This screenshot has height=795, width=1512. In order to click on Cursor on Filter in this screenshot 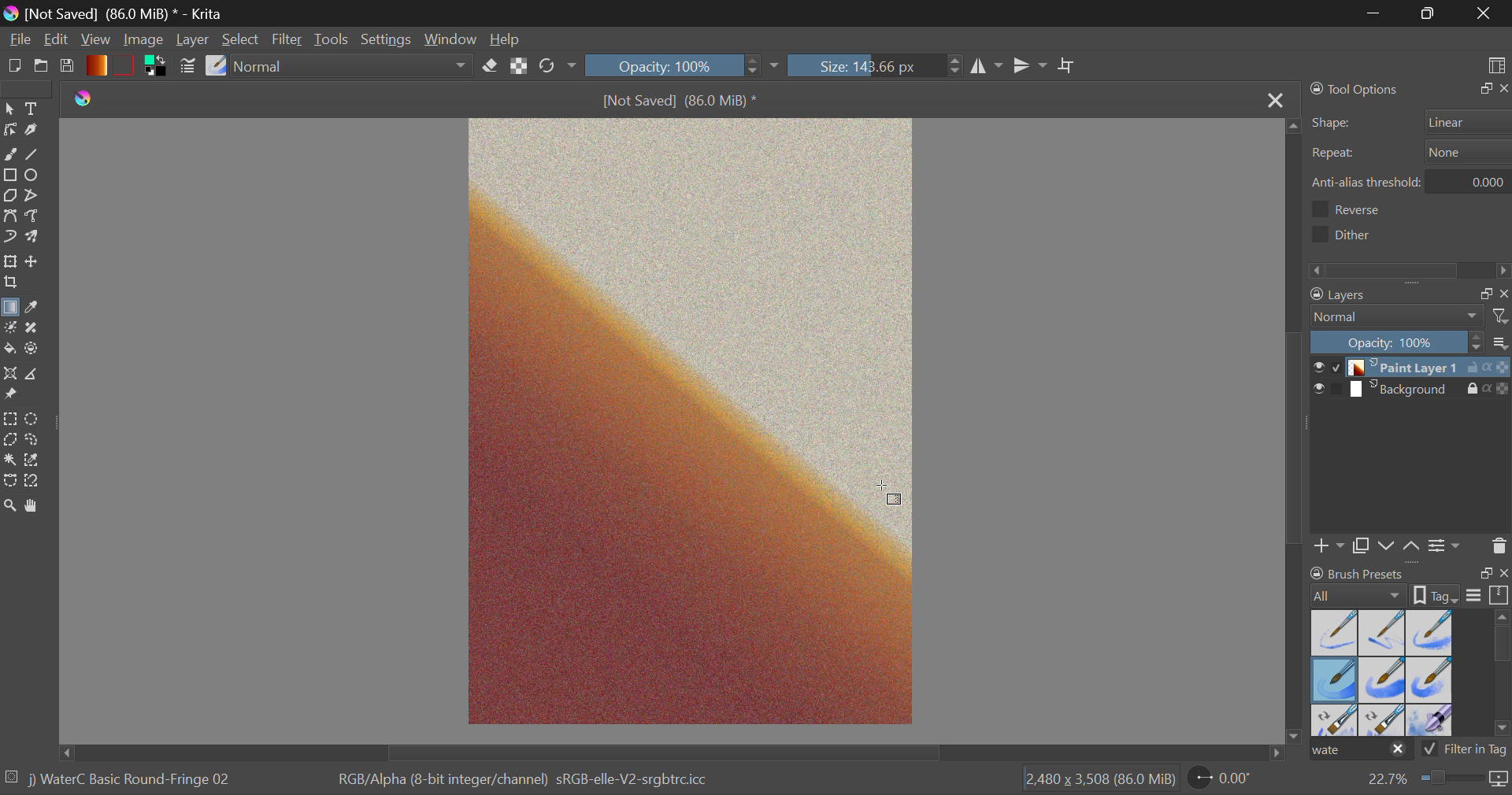, I will do `click(287, 39)`.